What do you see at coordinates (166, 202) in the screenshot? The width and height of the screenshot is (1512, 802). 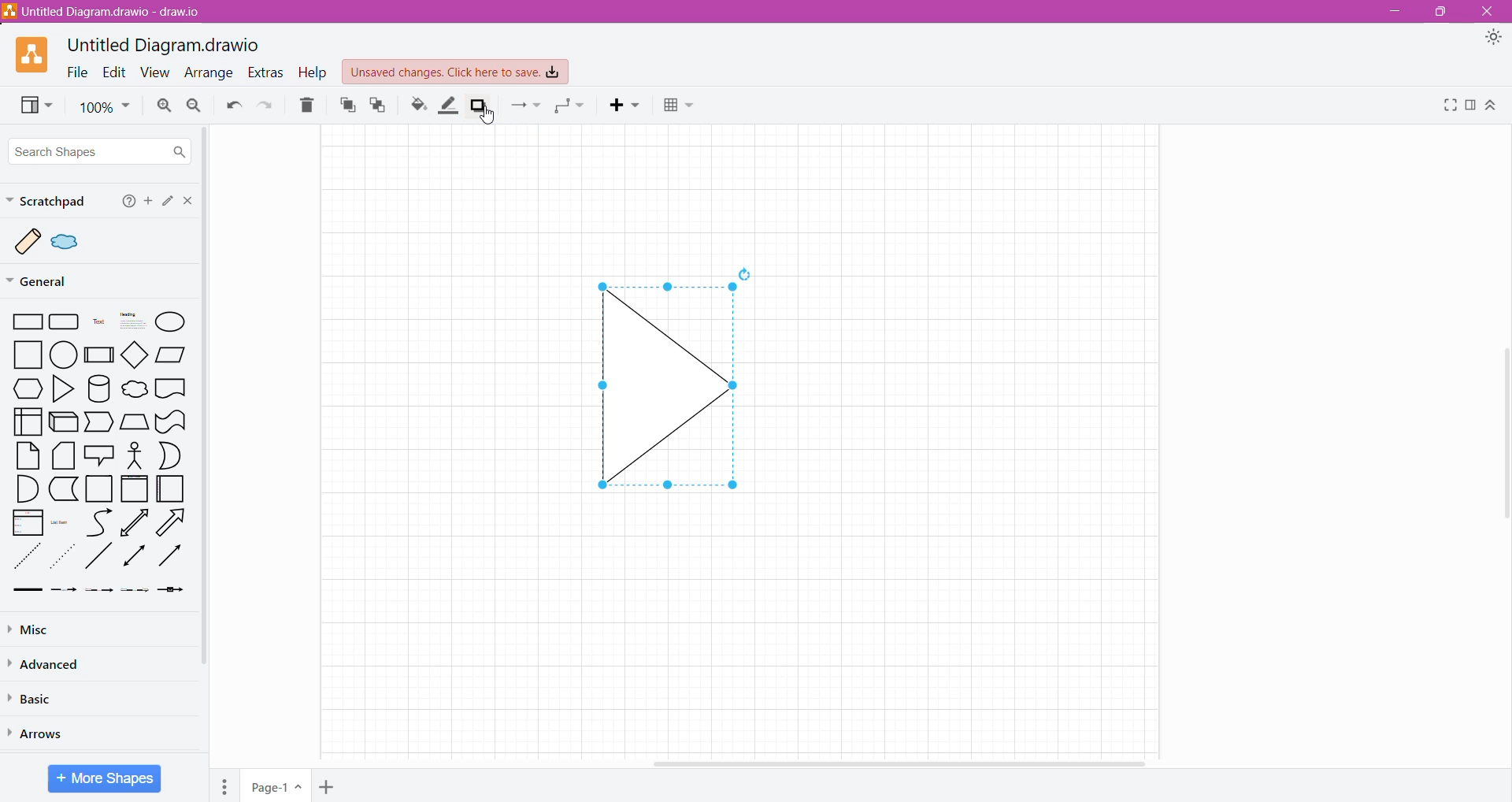 I see `Edit` at bounding box center [166, 202].